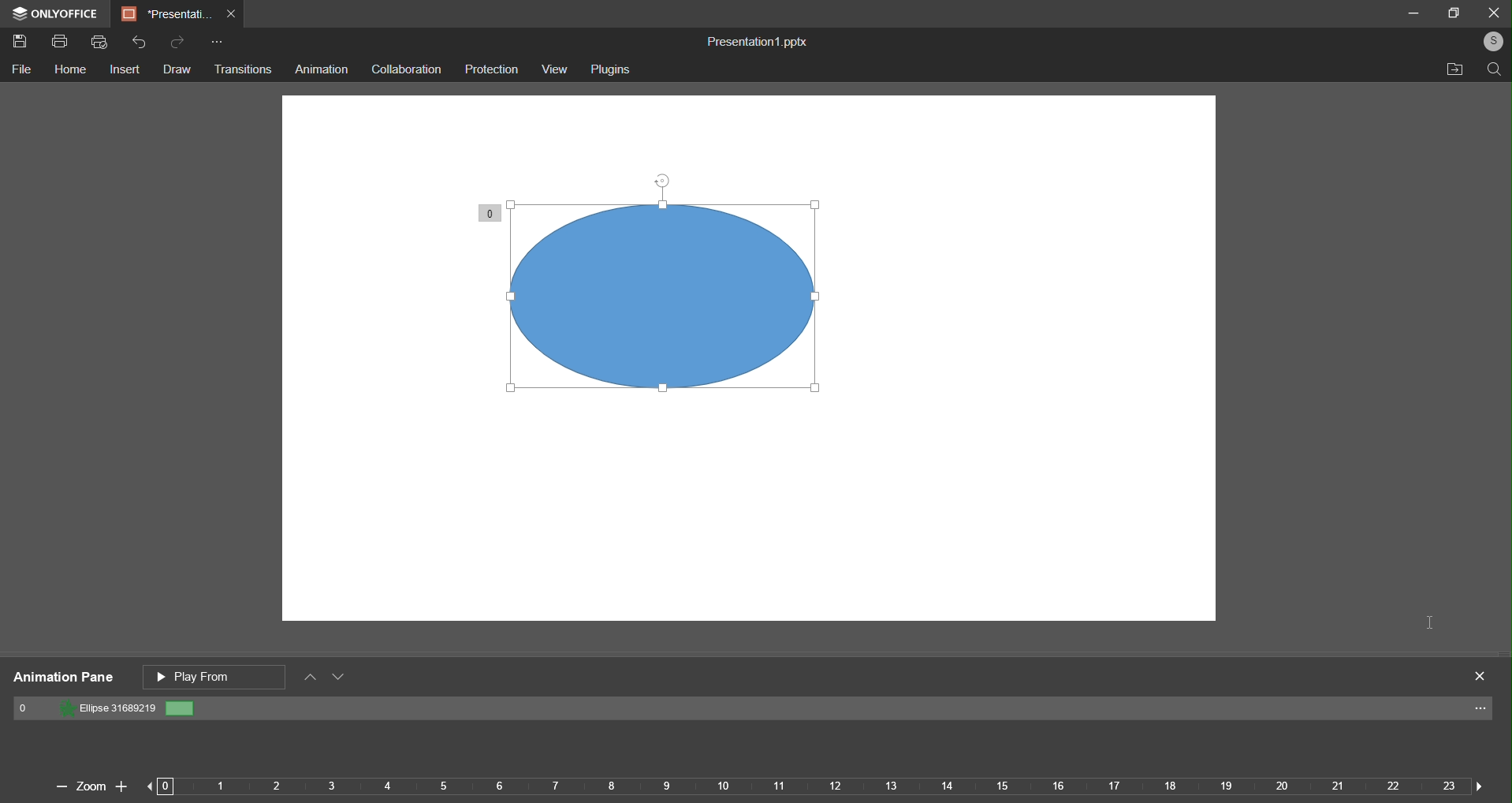 The width and height of the screenshot is (1512, 803). Describe the element at coordinates (609, 69) in the screenshot. I see `plugins` at that location.